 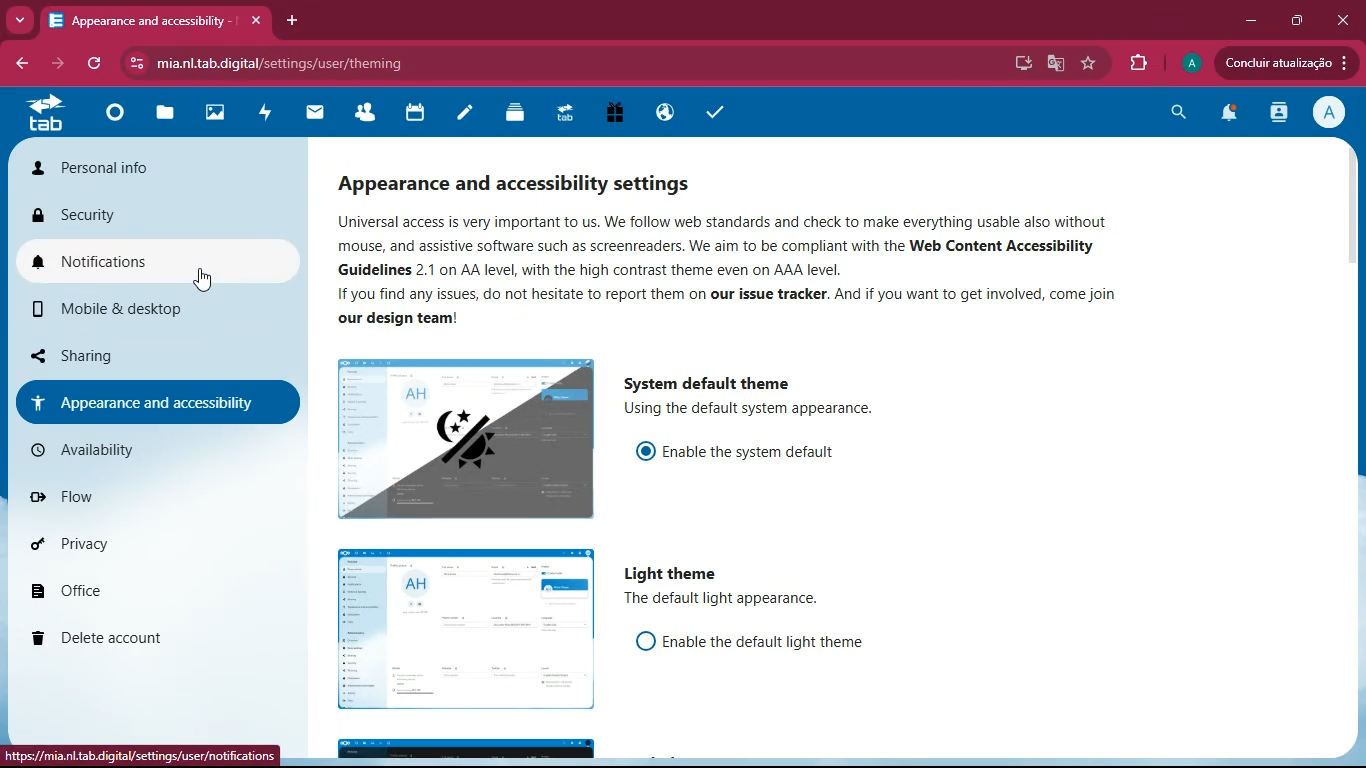 What do you see at coordinates (519, 113) in the screenshot?
I see `layers` at bounding box center [519, 113].